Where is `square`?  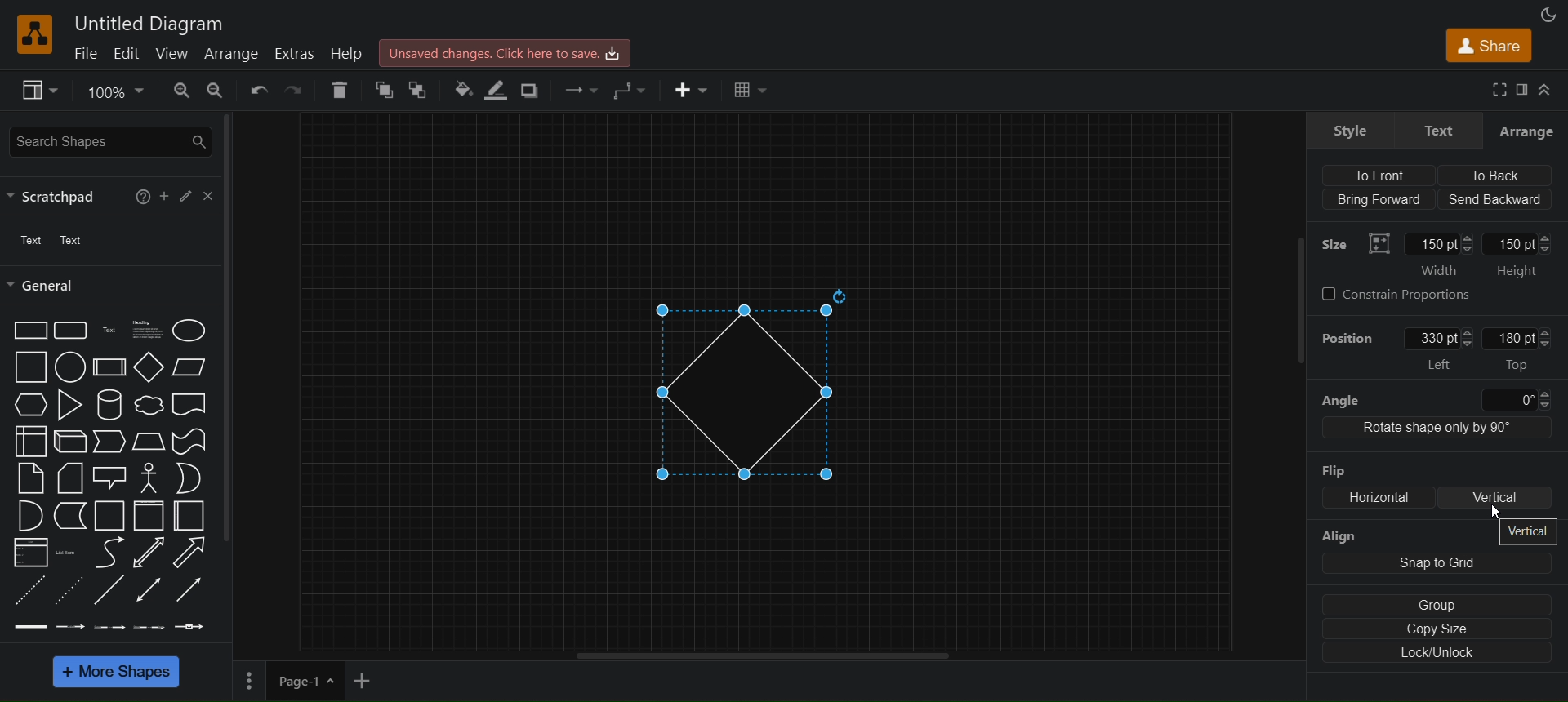
square is located at coordinates (30, 369).